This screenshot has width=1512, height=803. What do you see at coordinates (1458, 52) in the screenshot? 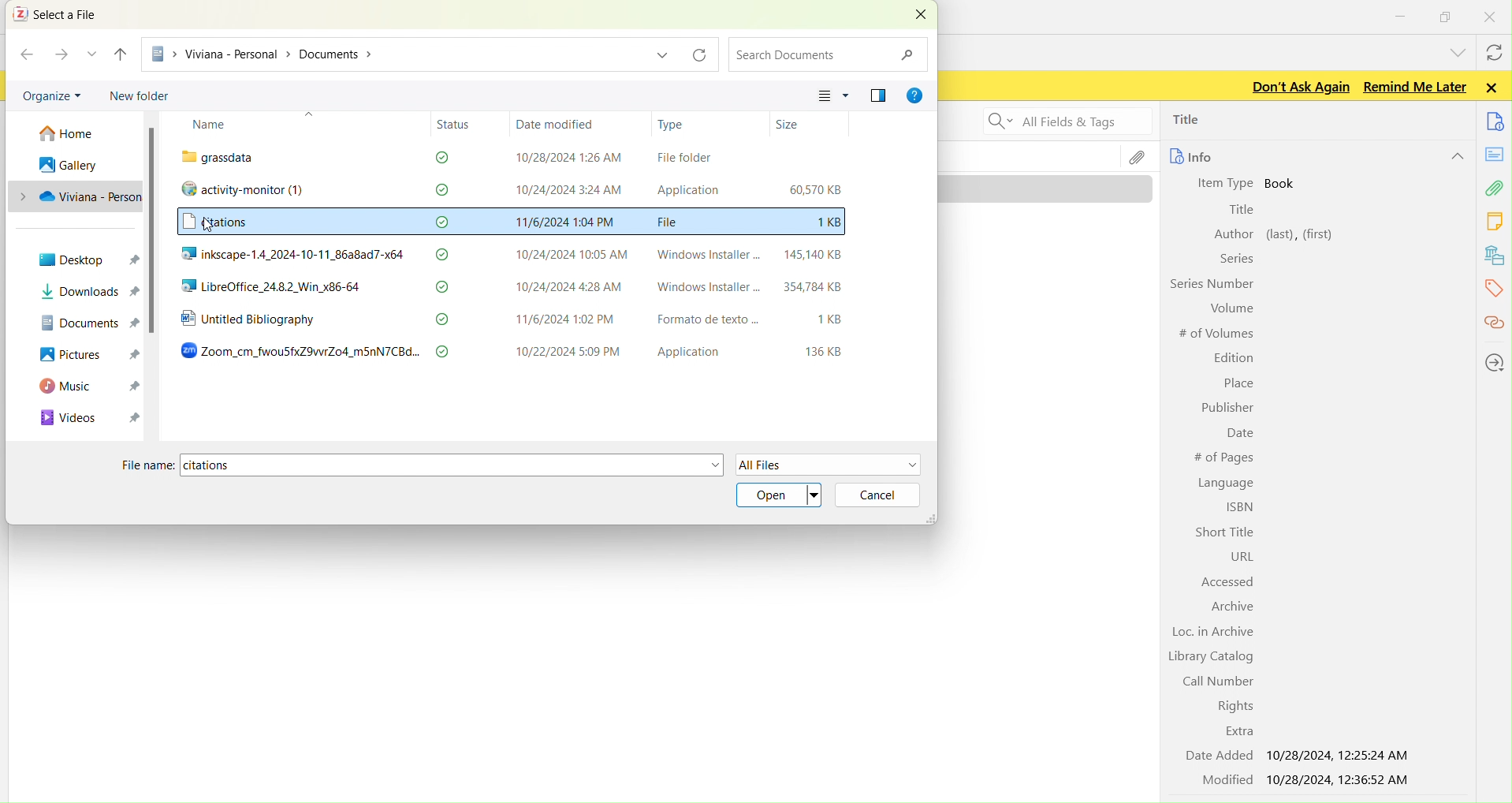
I see `list all tabs` at bounding box center [1458, 52].